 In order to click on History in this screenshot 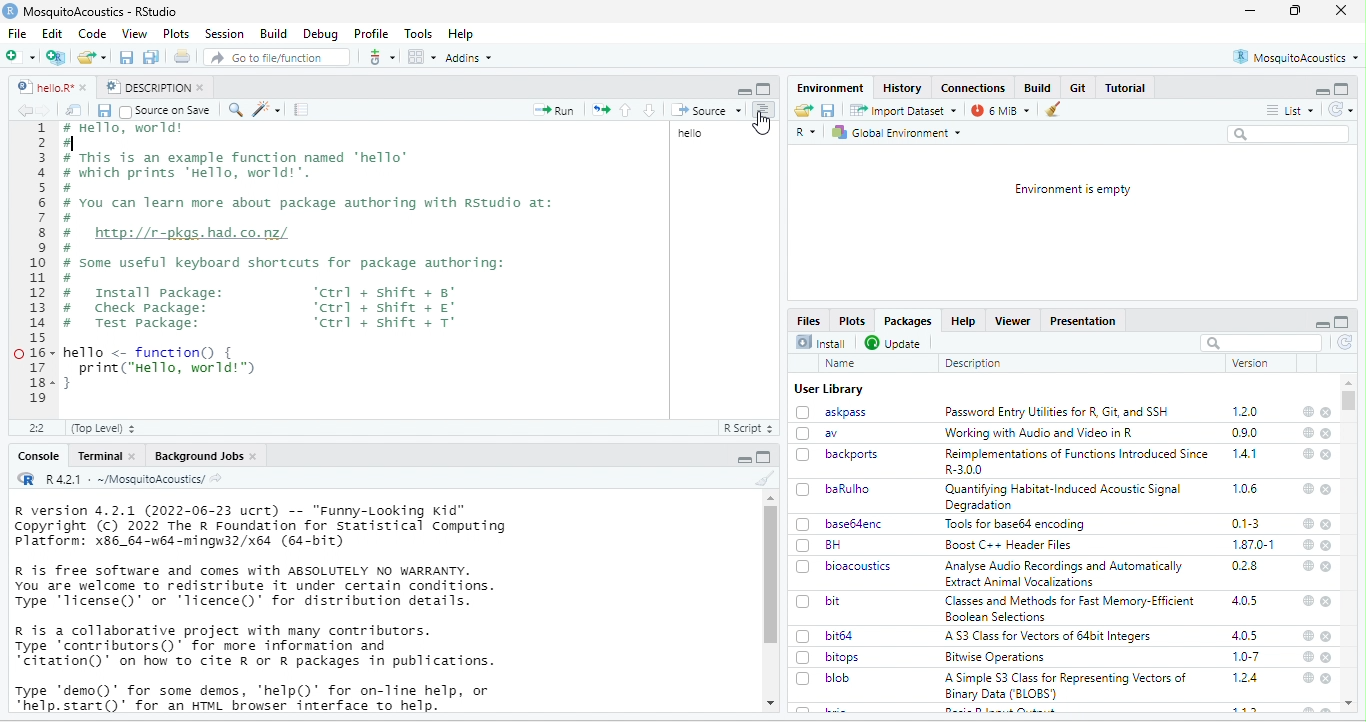, I will do `click(902, 88)`.